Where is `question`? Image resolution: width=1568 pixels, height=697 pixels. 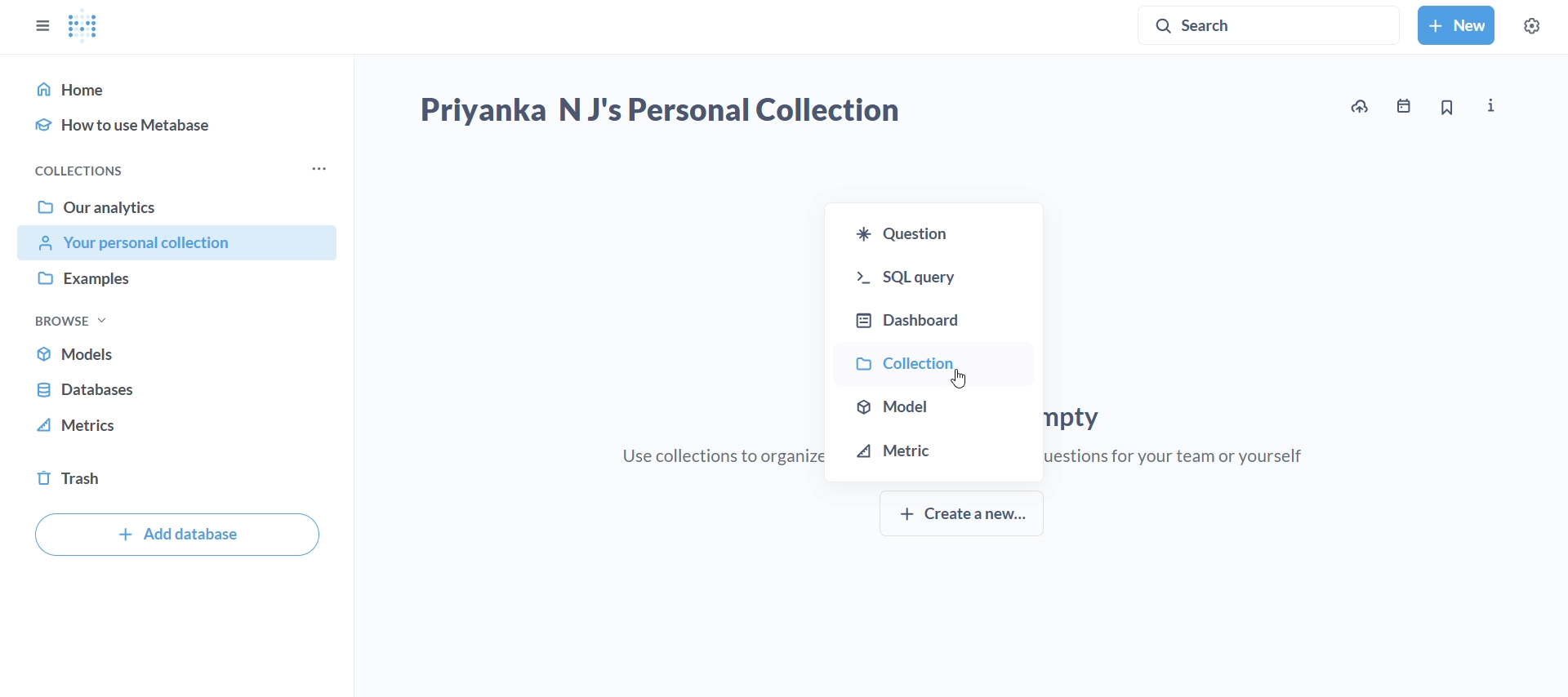
question is located at coordinates (938, 228).